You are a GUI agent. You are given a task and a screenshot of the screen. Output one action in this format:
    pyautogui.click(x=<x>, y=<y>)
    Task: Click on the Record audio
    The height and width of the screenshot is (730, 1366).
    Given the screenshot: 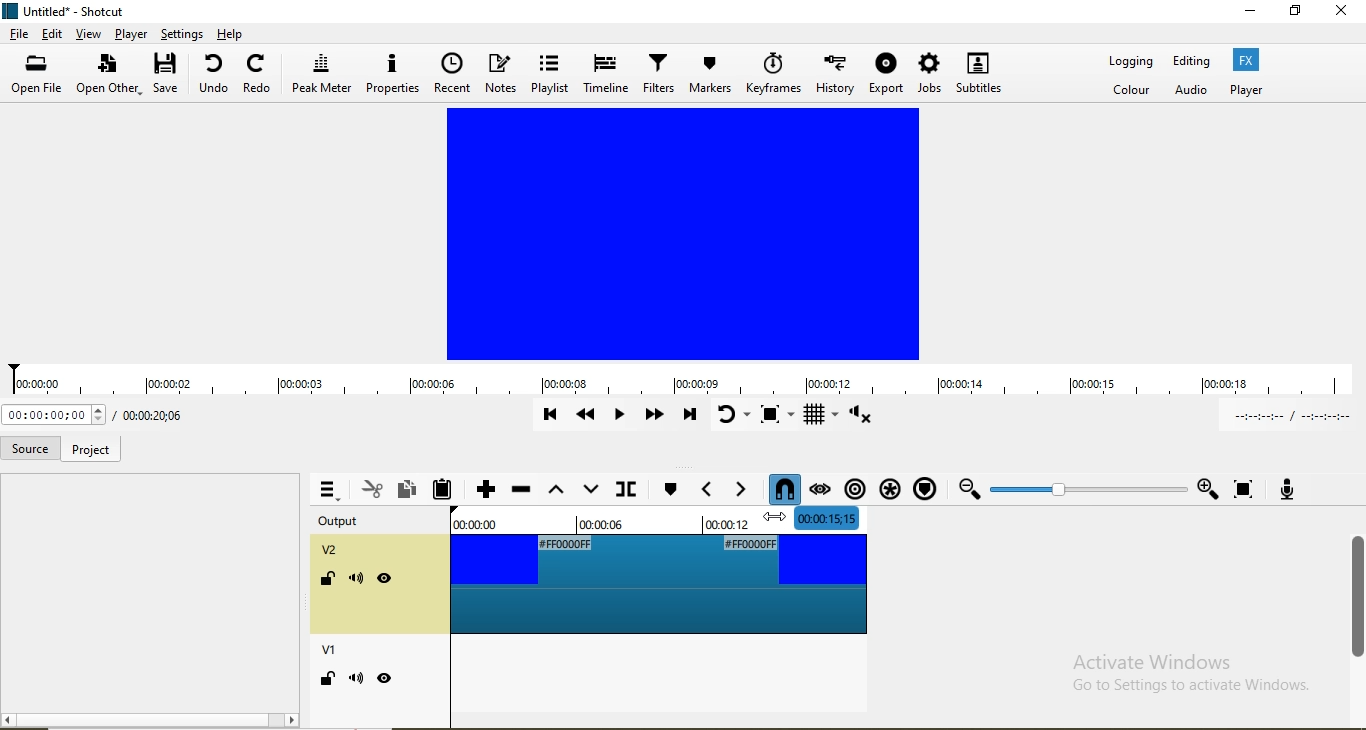 What is the action you would take?
    pyautogui.click(x=1285, y=487)
    